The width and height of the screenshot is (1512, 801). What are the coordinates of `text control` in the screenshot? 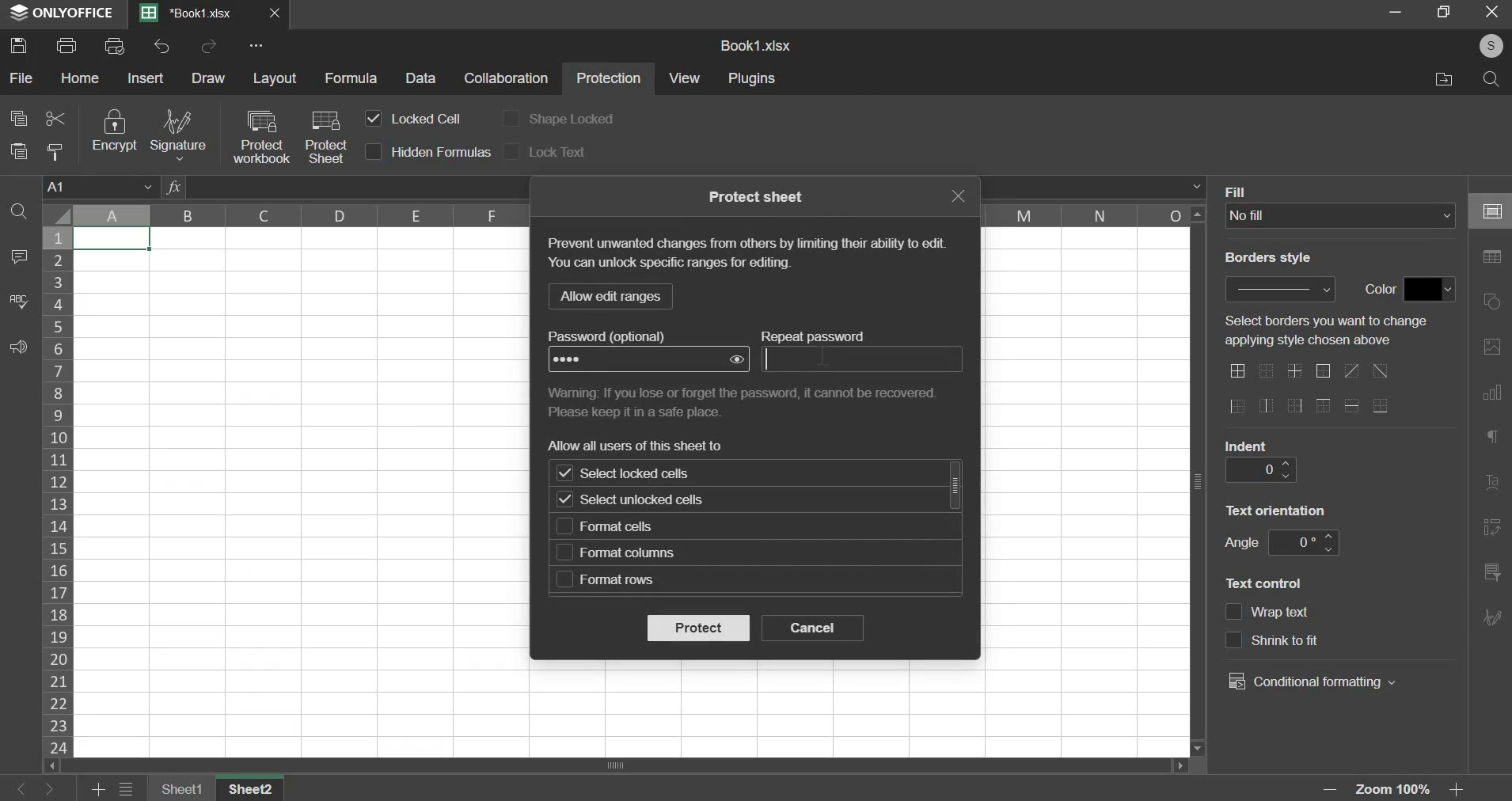 It's located at (1267, 582).